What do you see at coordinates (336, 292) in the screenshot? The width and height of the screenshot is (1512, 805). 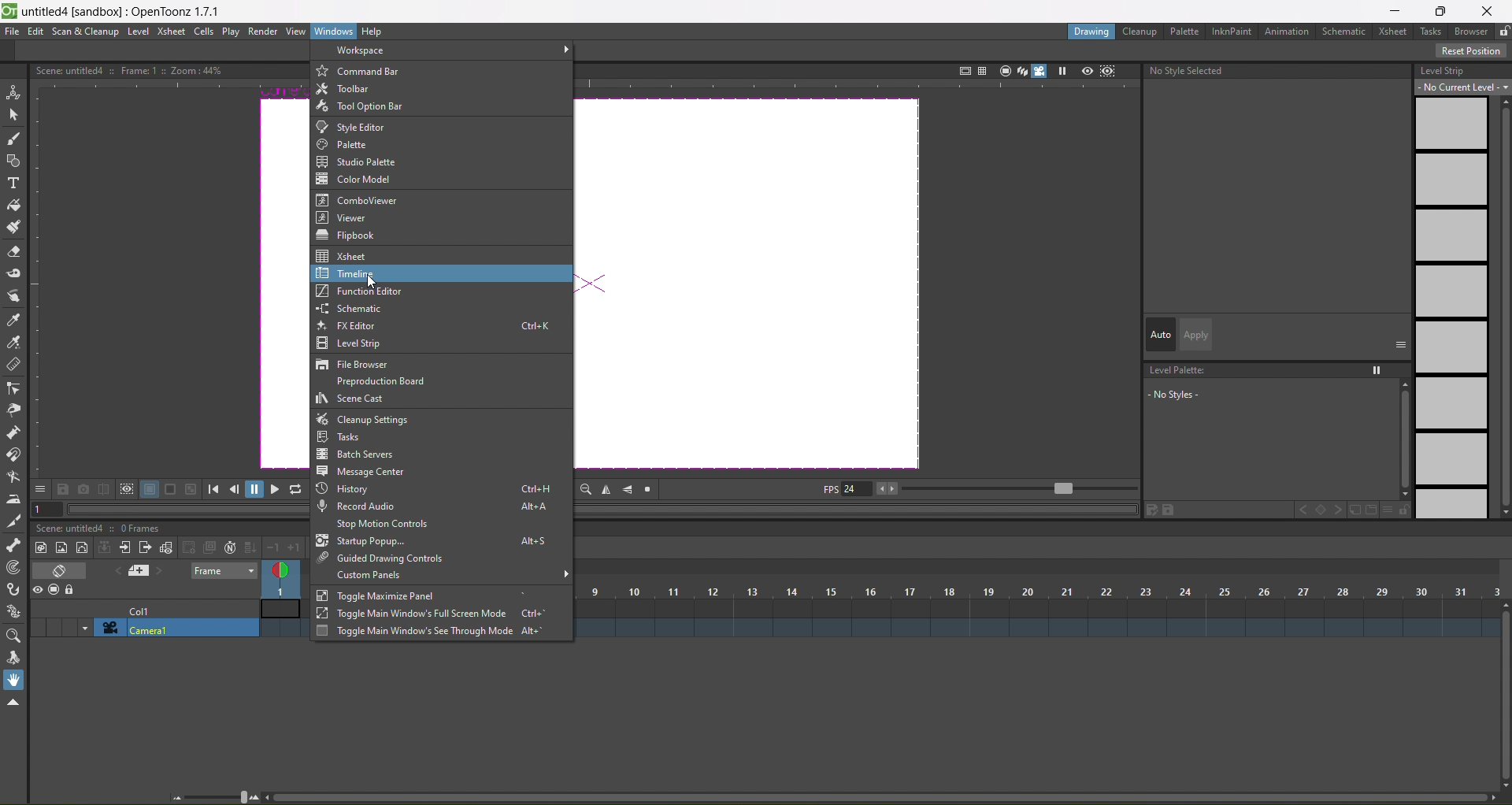 I see `function editor` at bounding box center [336, 292].